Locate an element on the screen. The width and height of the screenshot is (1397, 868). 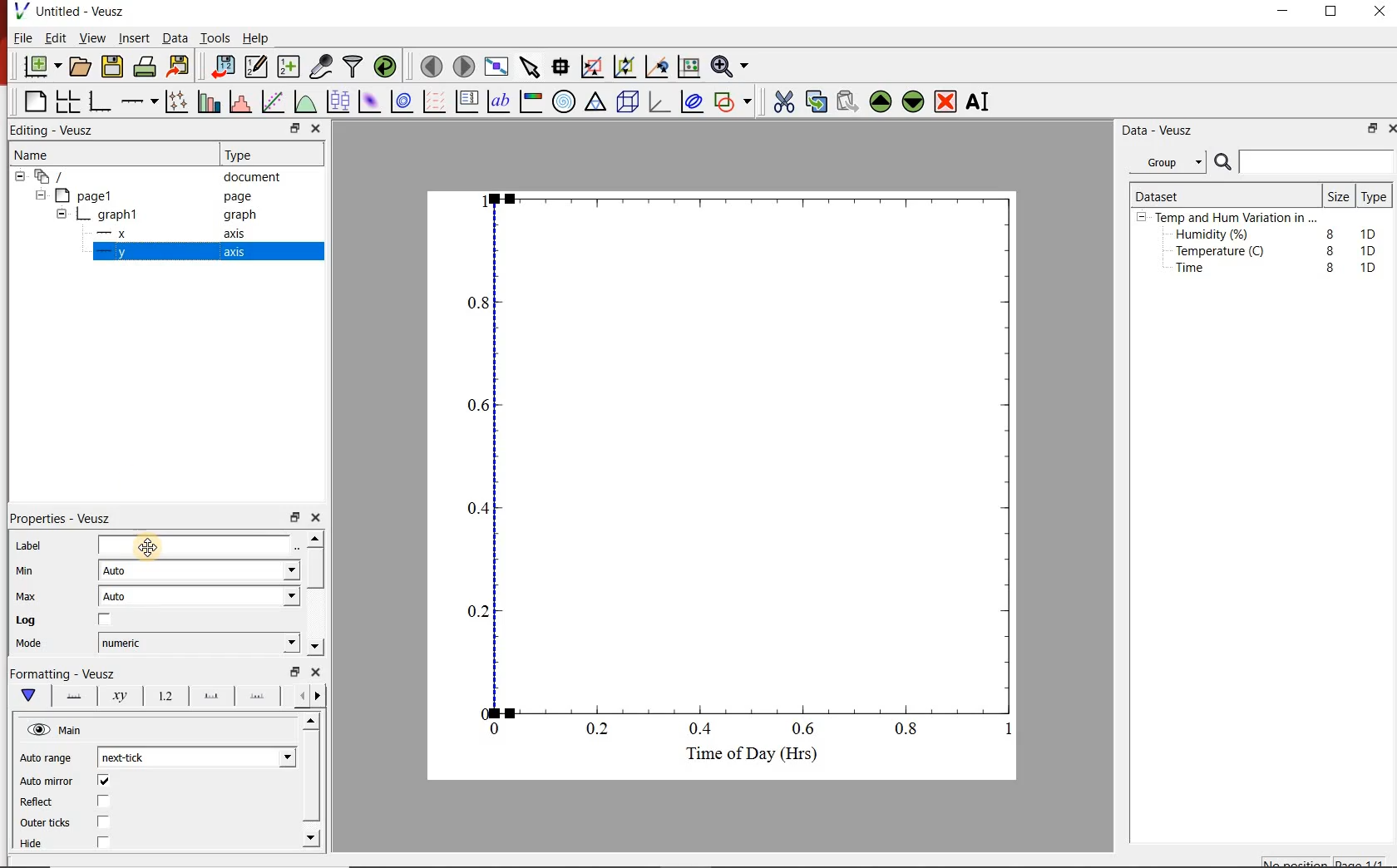
axis is located at coordinates (239, 235).